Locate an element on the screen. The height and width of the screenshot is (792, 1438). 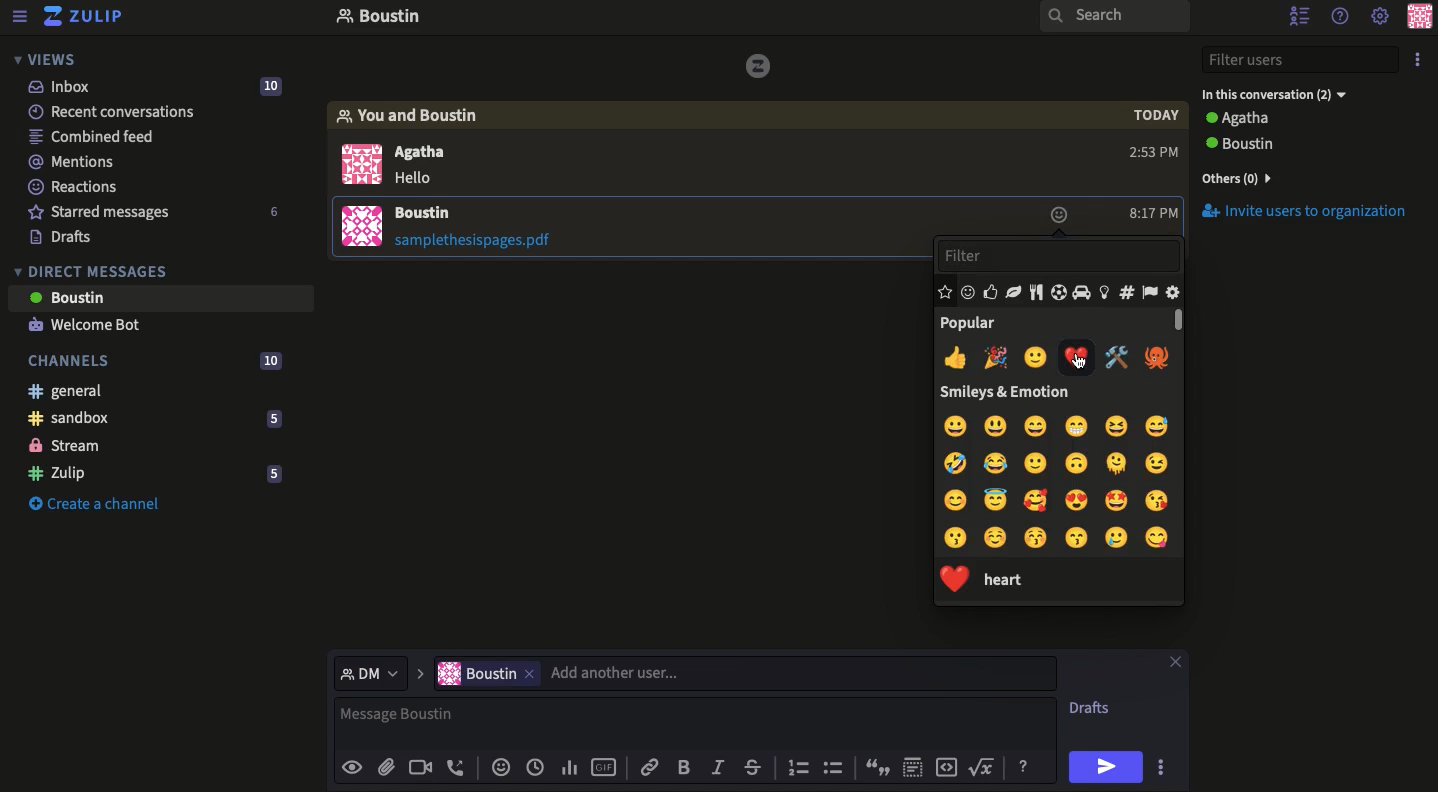
Bold is located at coordinates (689, 766).